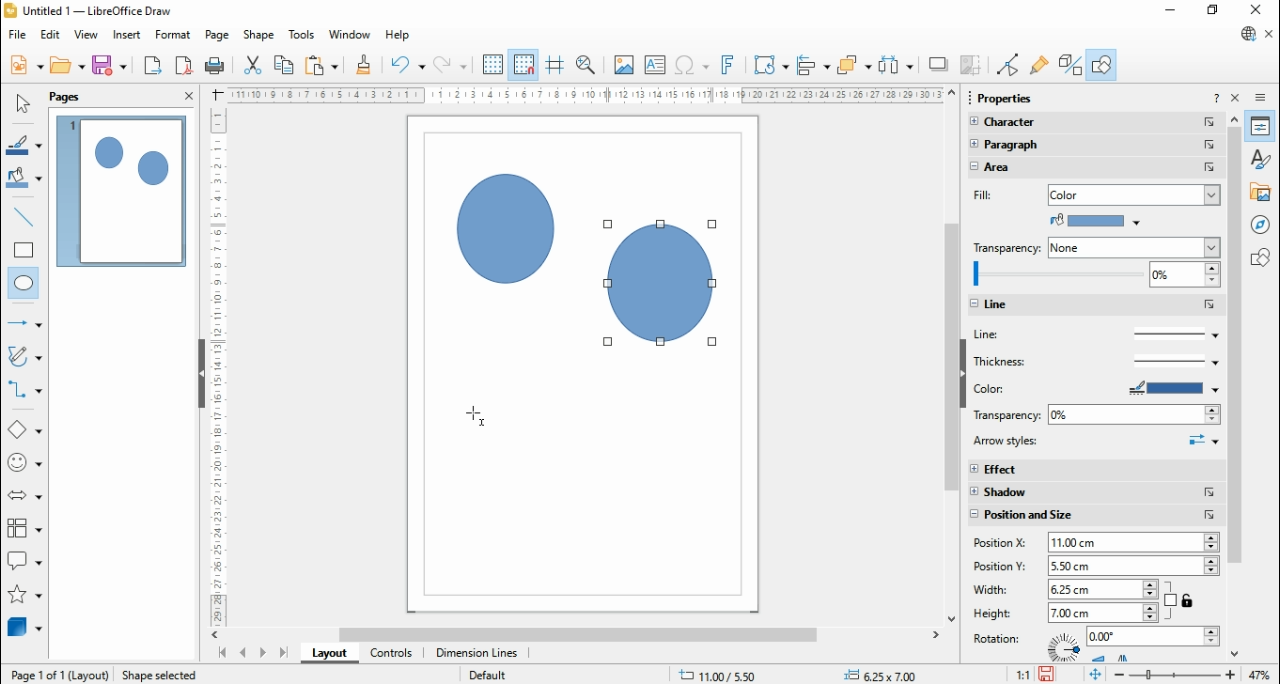 Image resolution: width=1280 pixels, height=684 pixels. What do you see at coordinates (1237, 97) in the screenshot?
I see `close sidebar deck` at bounding box center [1237, 97].